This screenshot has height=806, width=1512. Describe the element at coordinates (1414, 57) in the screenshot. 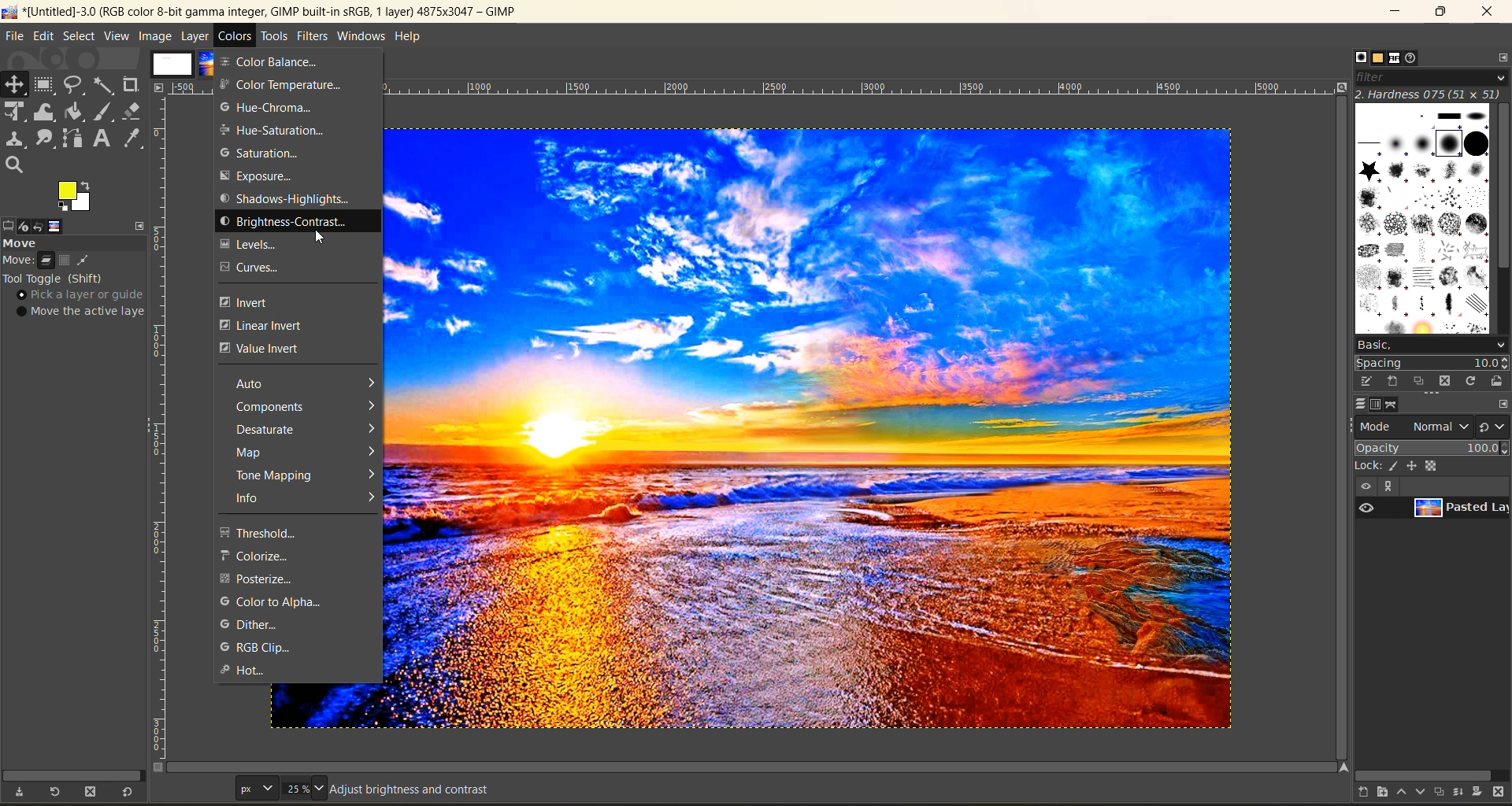

I see `document history` at that location.